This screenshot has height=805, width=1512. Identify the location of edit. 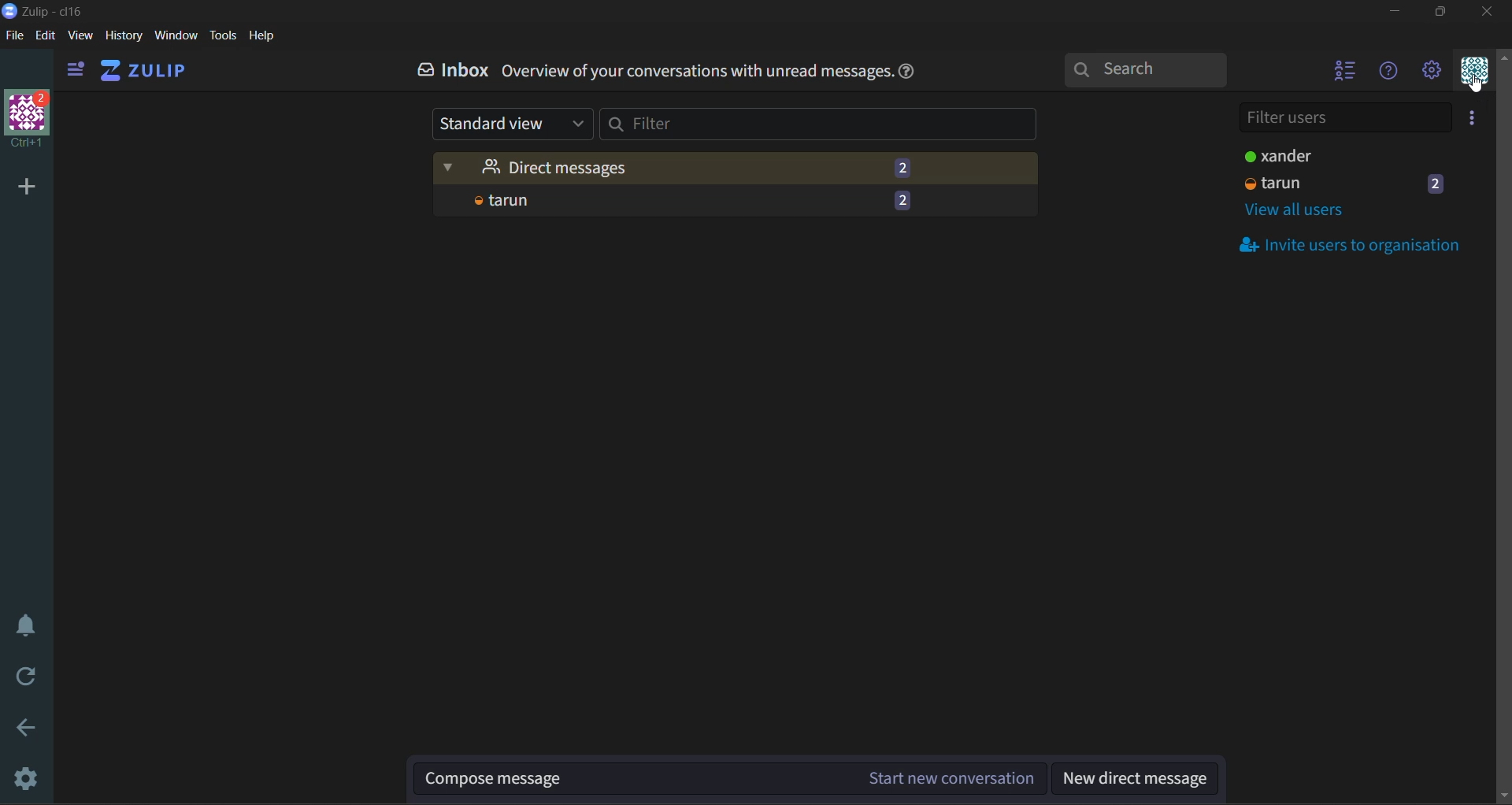
(45, 36).